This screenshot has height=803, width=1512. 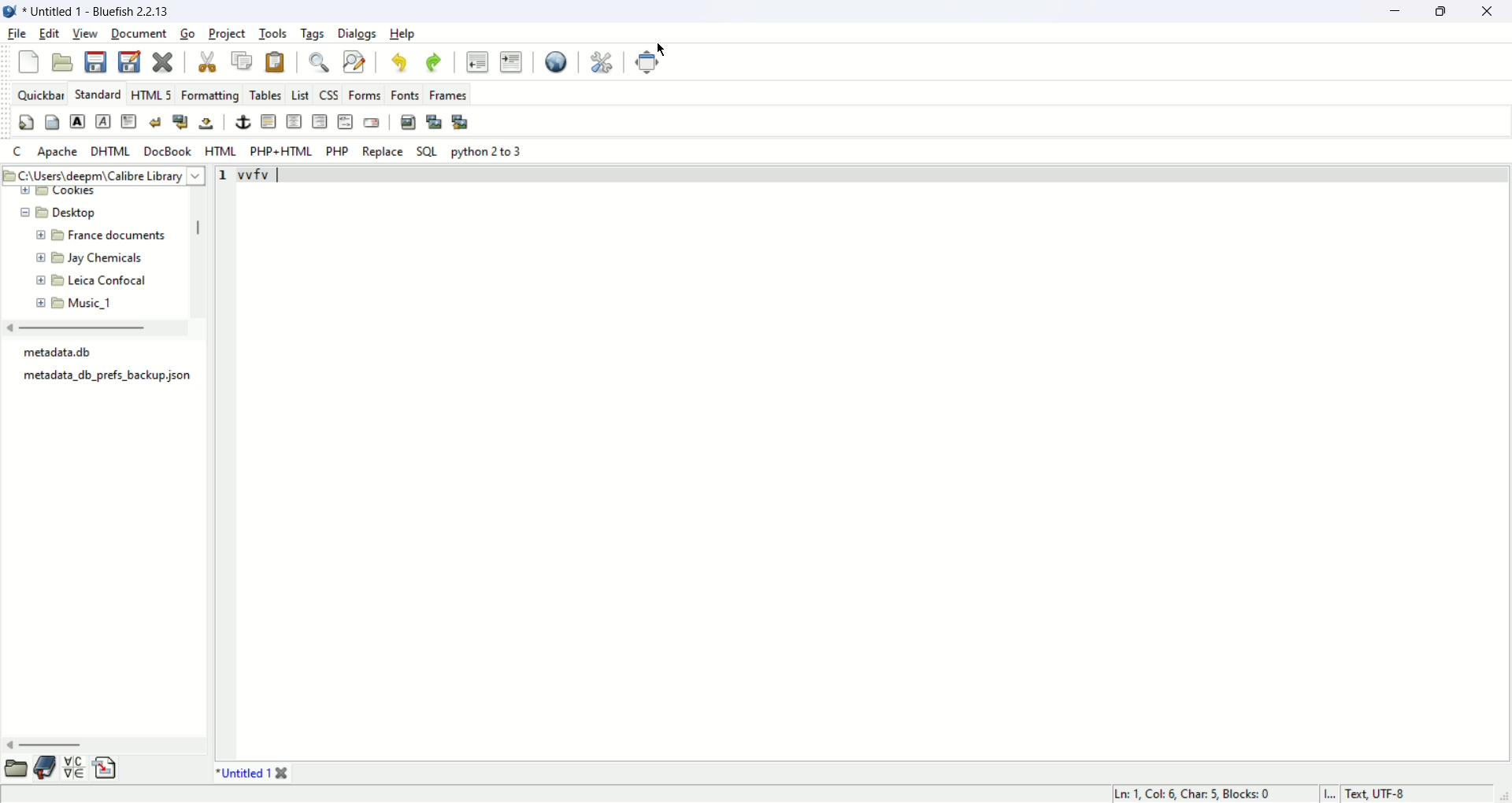 I want to click on STANDARD, so click(x=95, y=94).